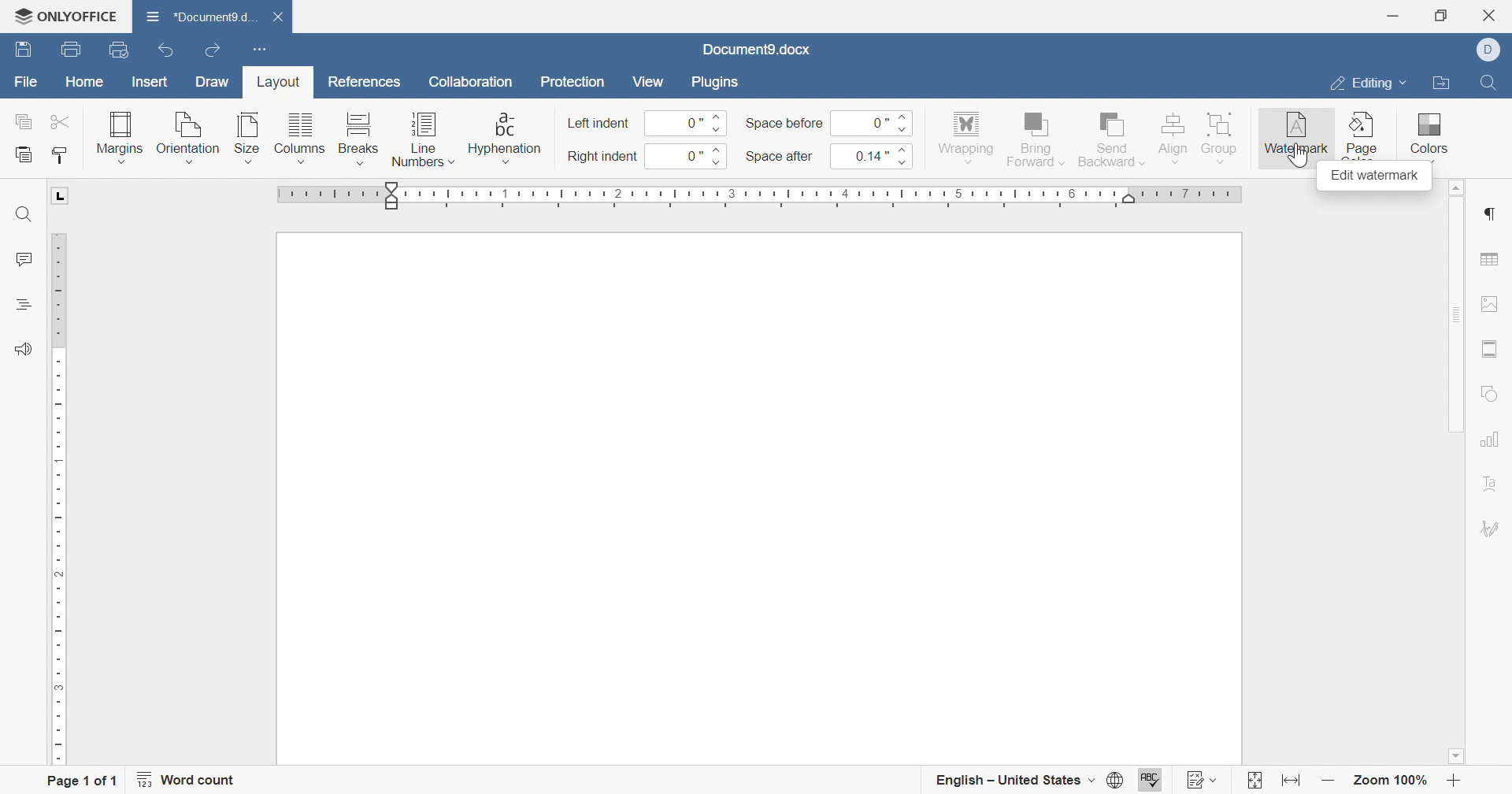  I want to click on collaboration, so click(473, 86).